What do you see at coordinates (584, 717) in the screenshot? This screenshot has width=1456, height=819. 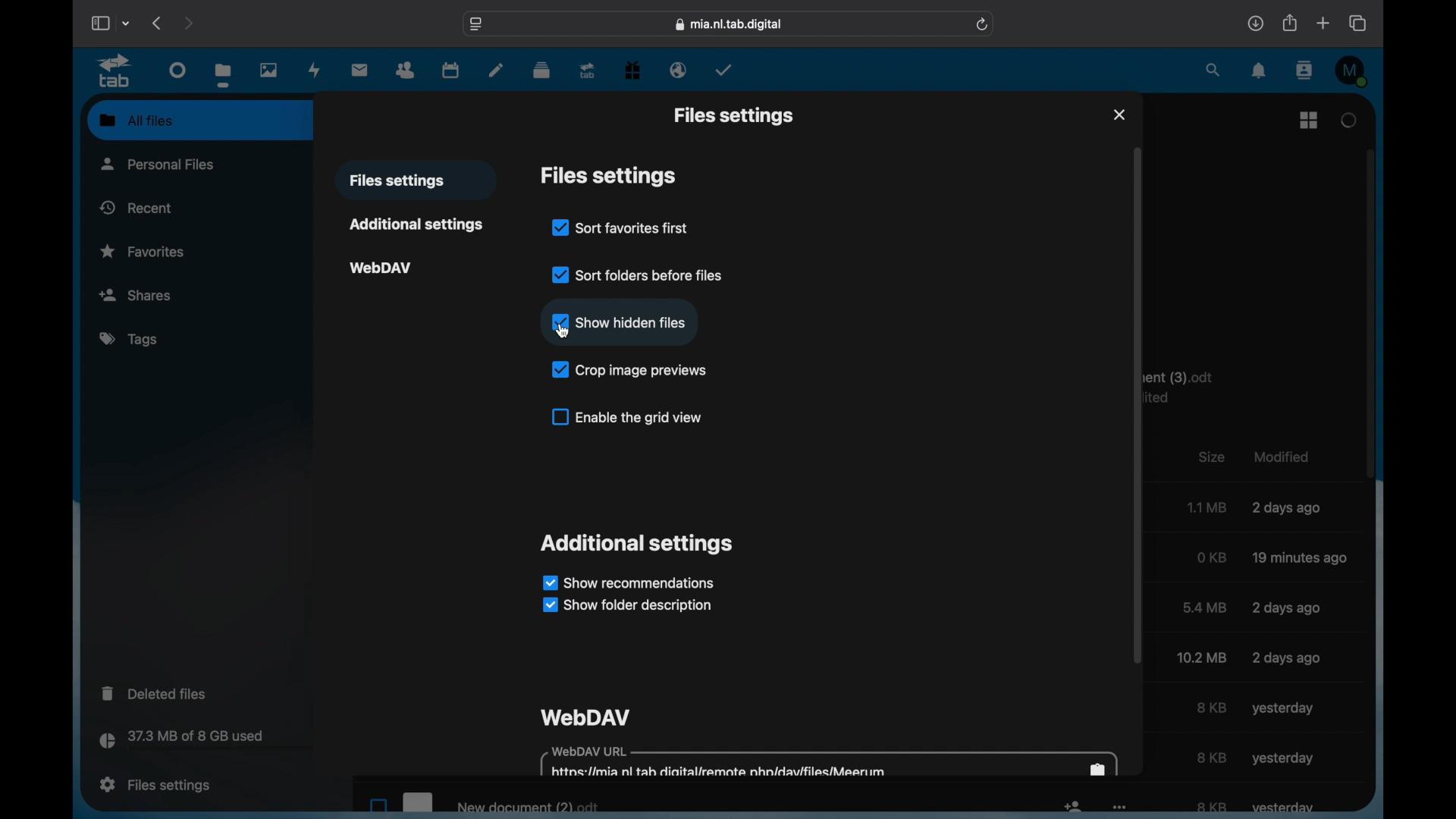 I see `webdav` at bounding box center [584, 717].